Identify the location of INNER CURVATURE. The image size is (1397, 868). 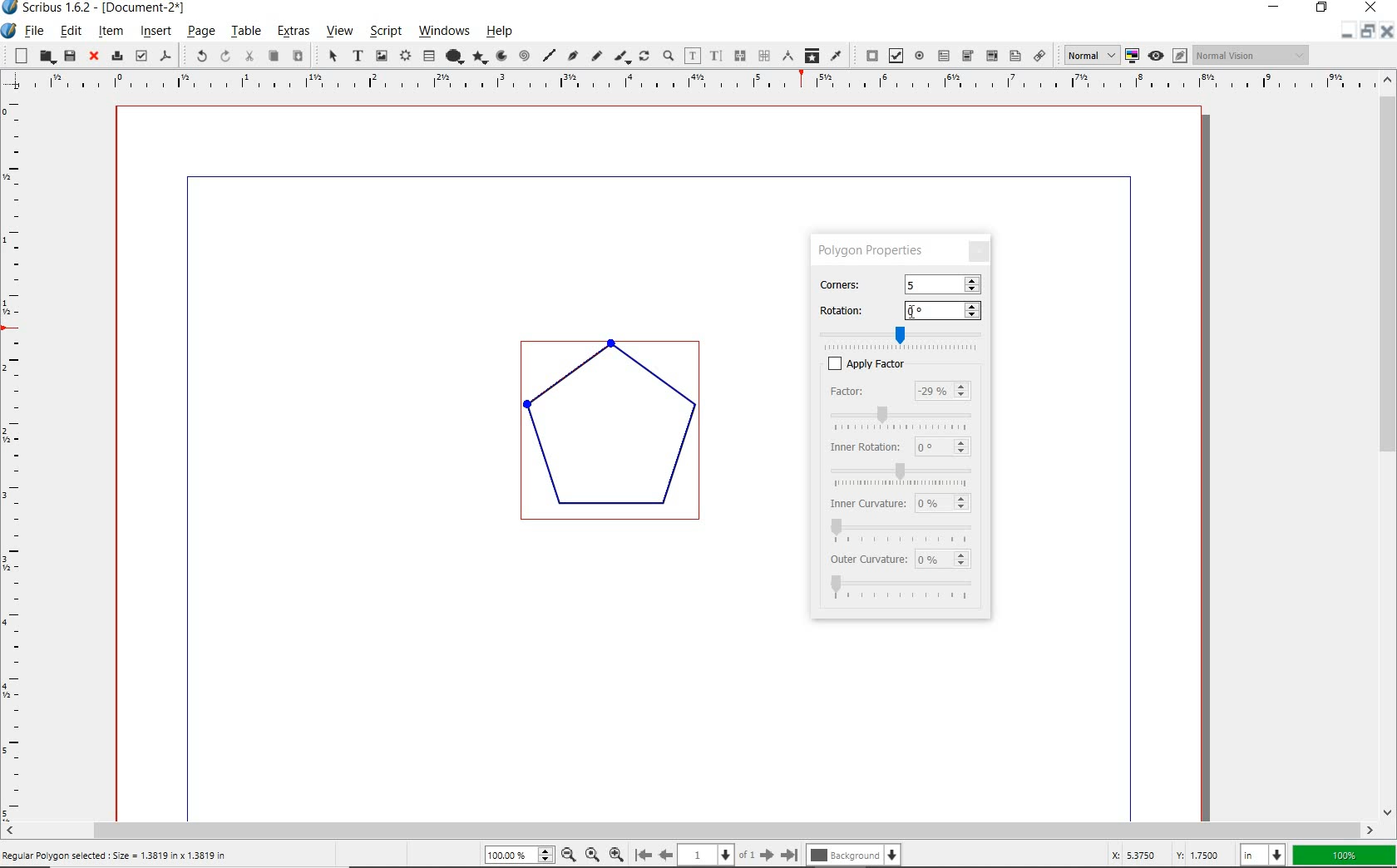
(865, 502).